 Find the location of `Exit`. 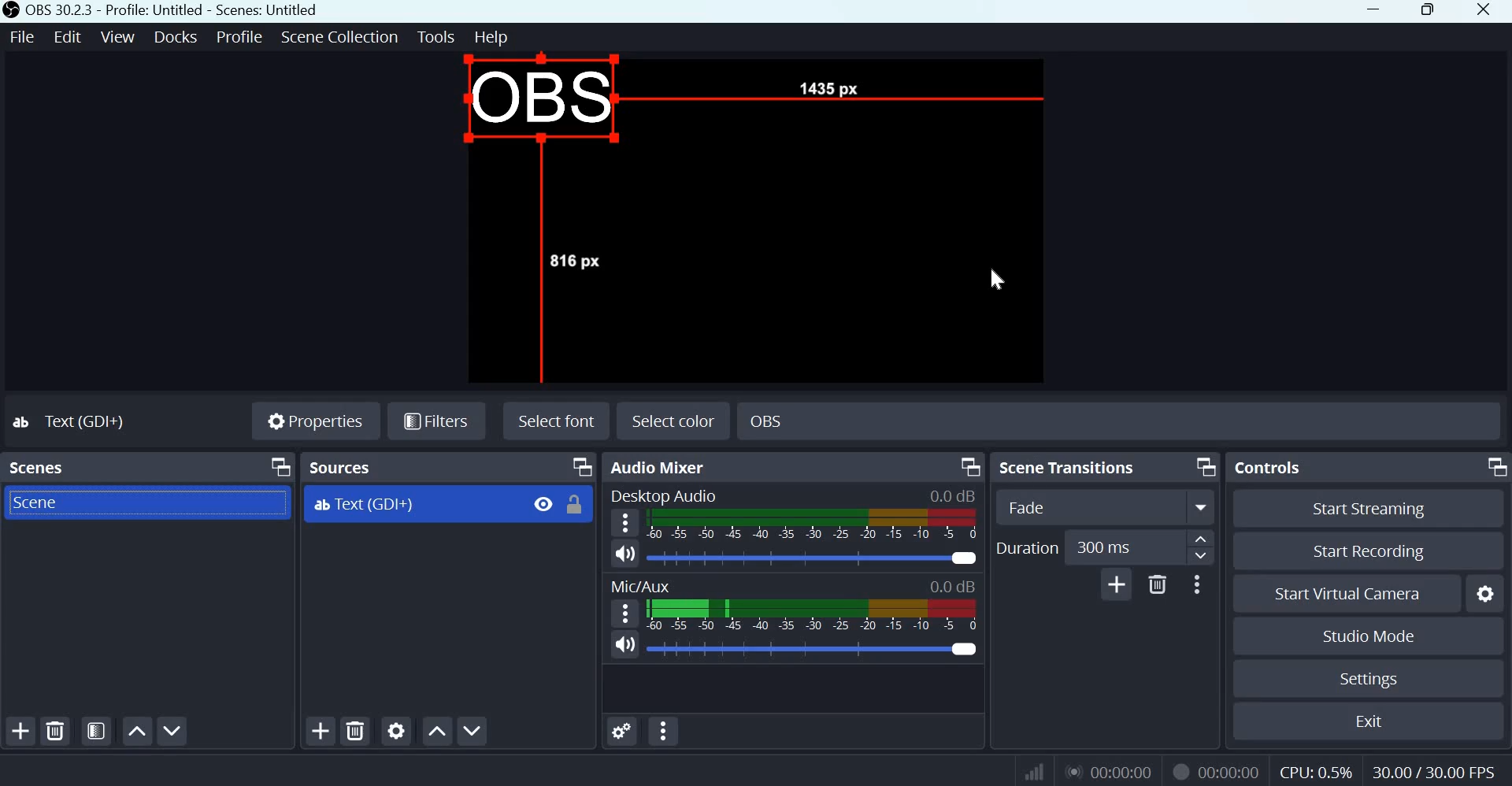

Exit is located at coordinates (1373, 721).